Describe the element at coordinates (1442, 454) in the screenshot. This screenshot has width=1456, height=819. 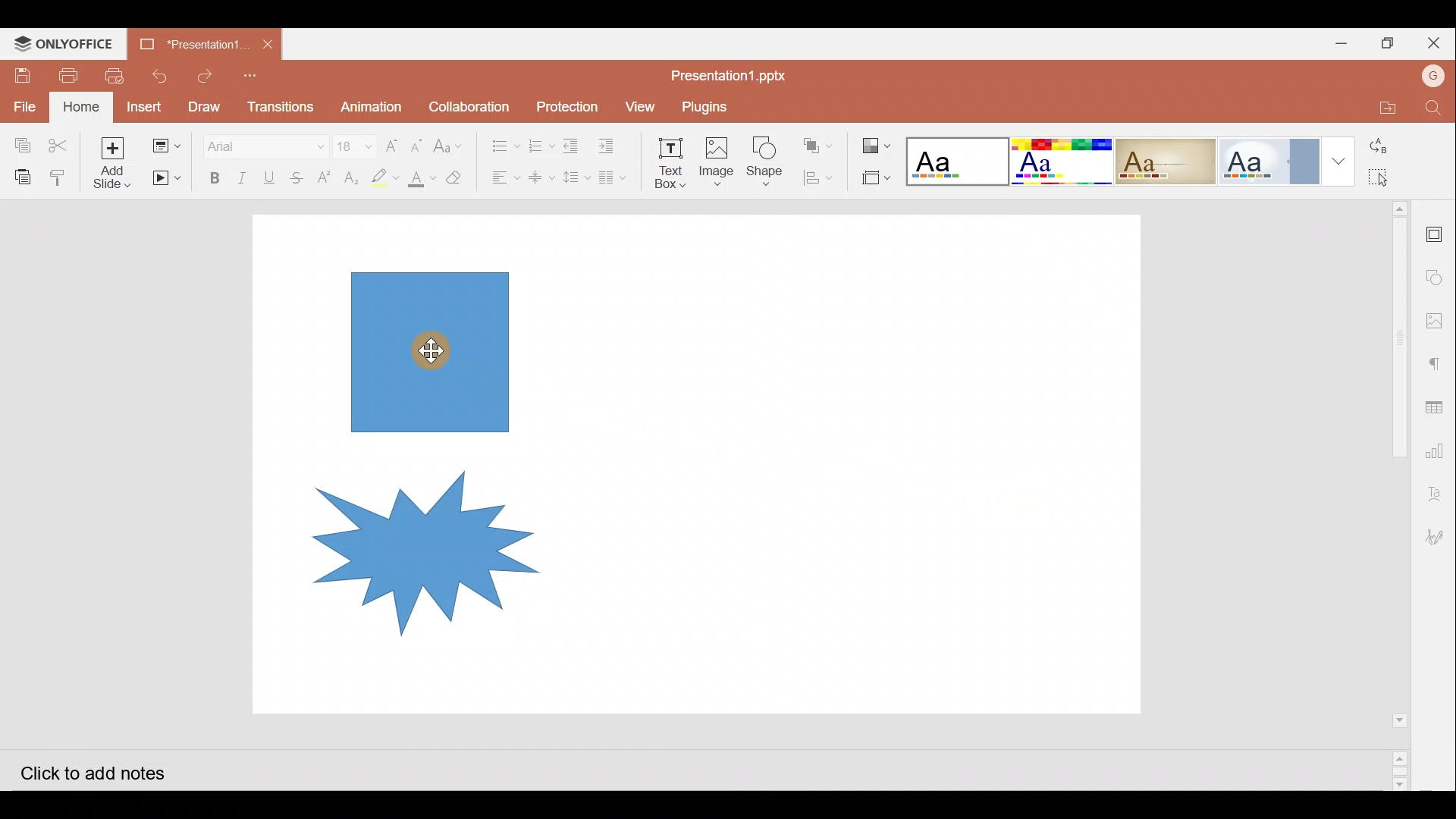
I see `Chart settings` at that location.